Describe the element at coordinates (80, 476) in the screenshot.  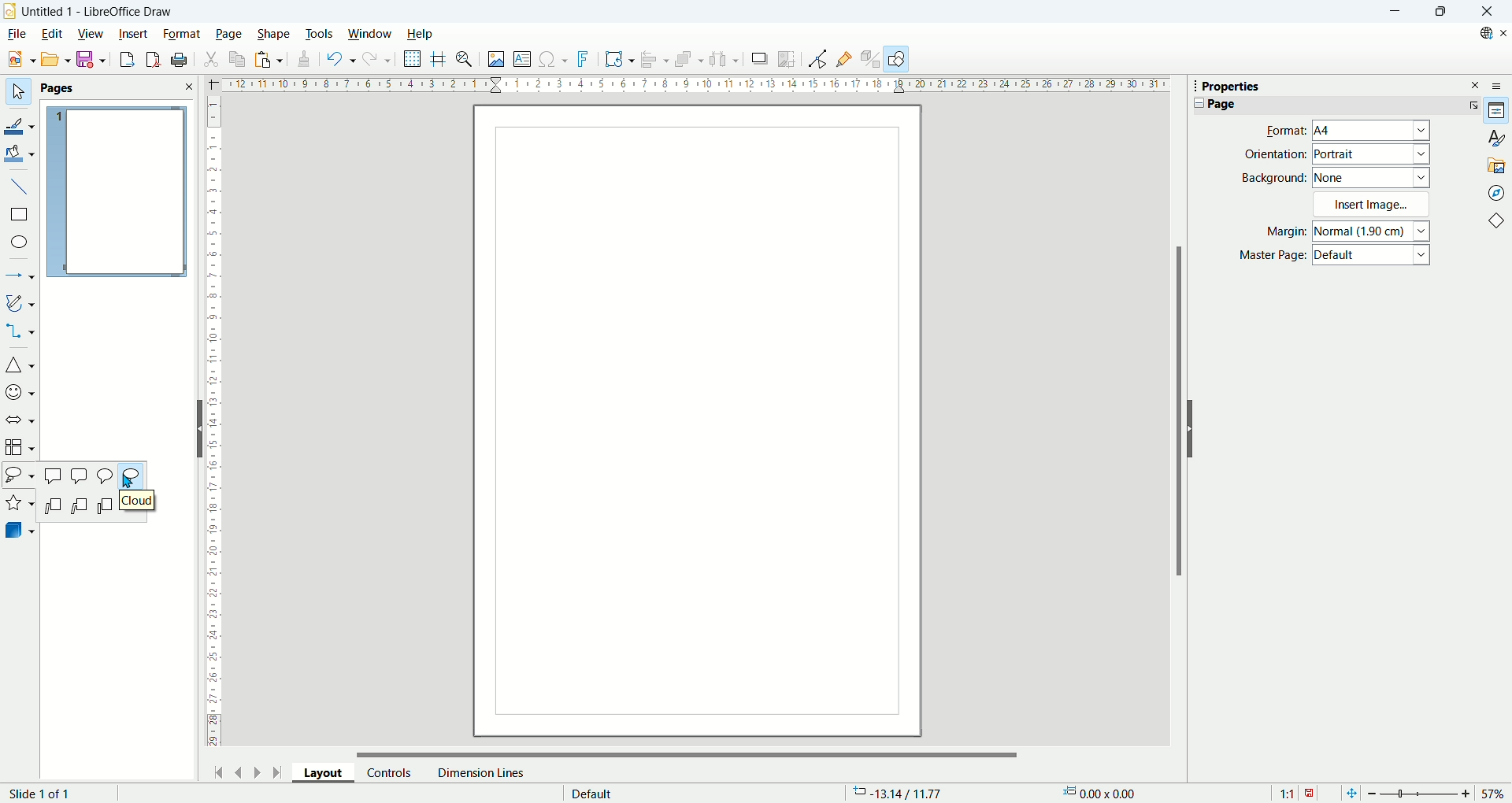
I see `Rounded rectangular callout` at that location.